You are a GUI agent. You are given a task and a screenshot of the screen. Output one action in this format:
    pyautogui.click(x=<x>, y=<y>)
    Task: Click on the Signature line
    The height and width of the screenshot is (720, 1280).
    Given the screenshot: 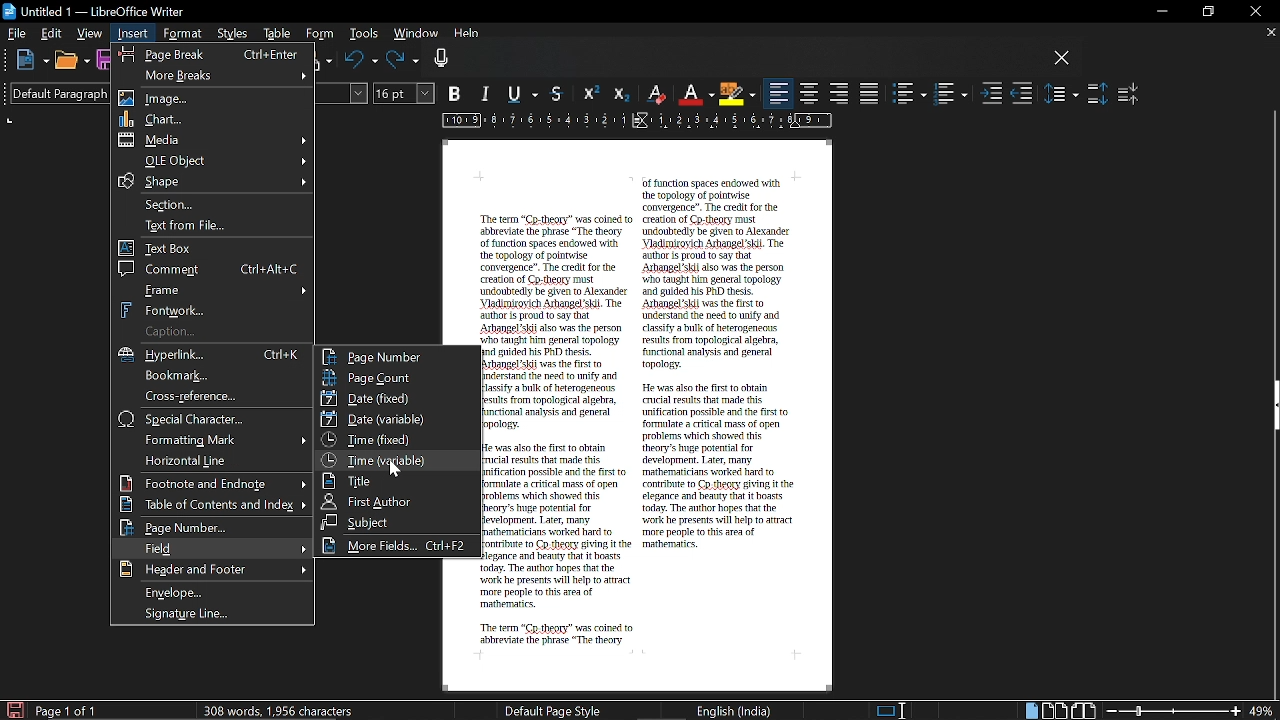 What is the action you would take?
    pyautogui.click(x=217, y=614)
    